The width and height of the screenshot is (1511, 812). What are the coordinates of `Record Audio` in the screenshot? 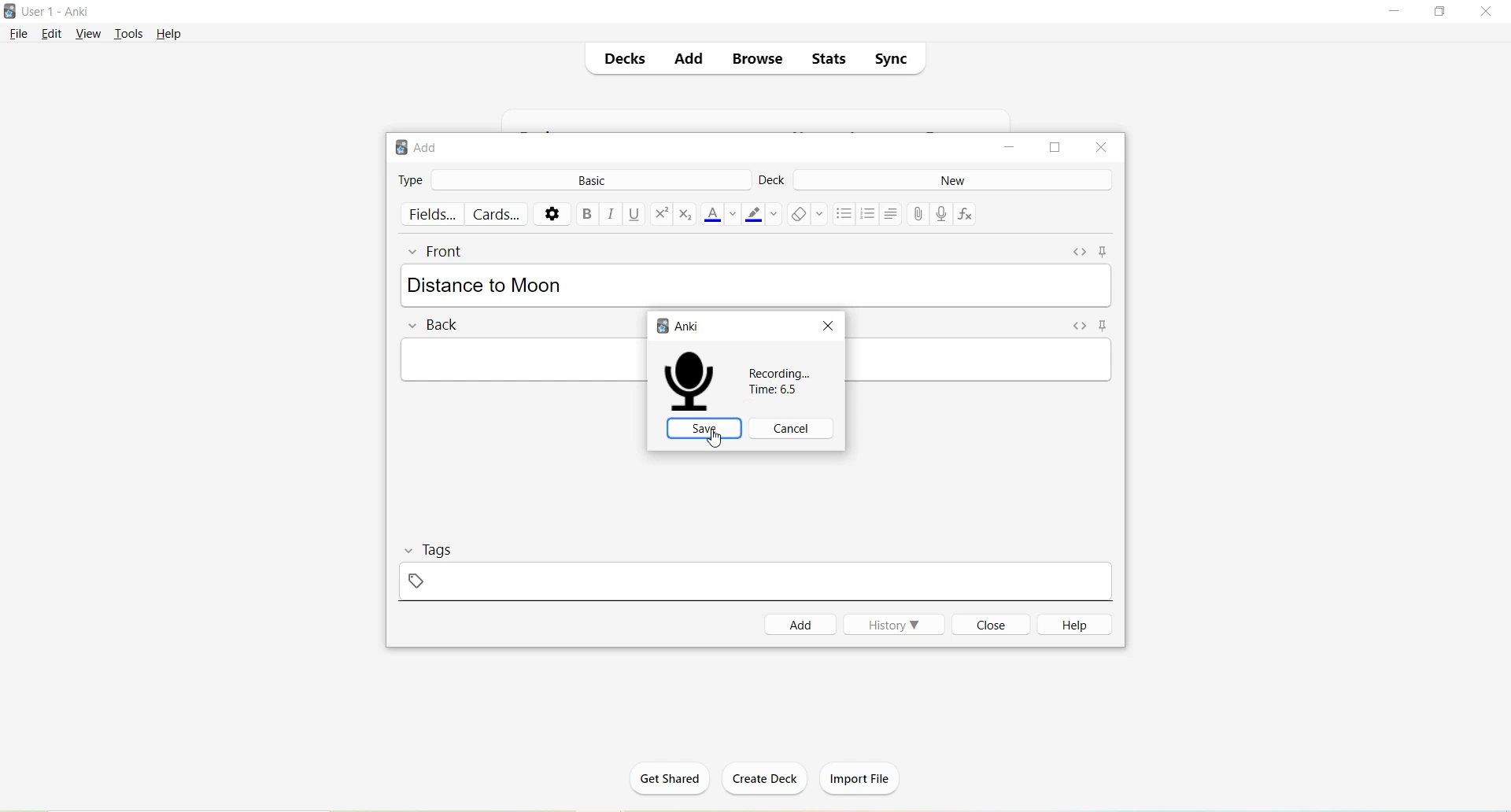 It's located at (941, 214).